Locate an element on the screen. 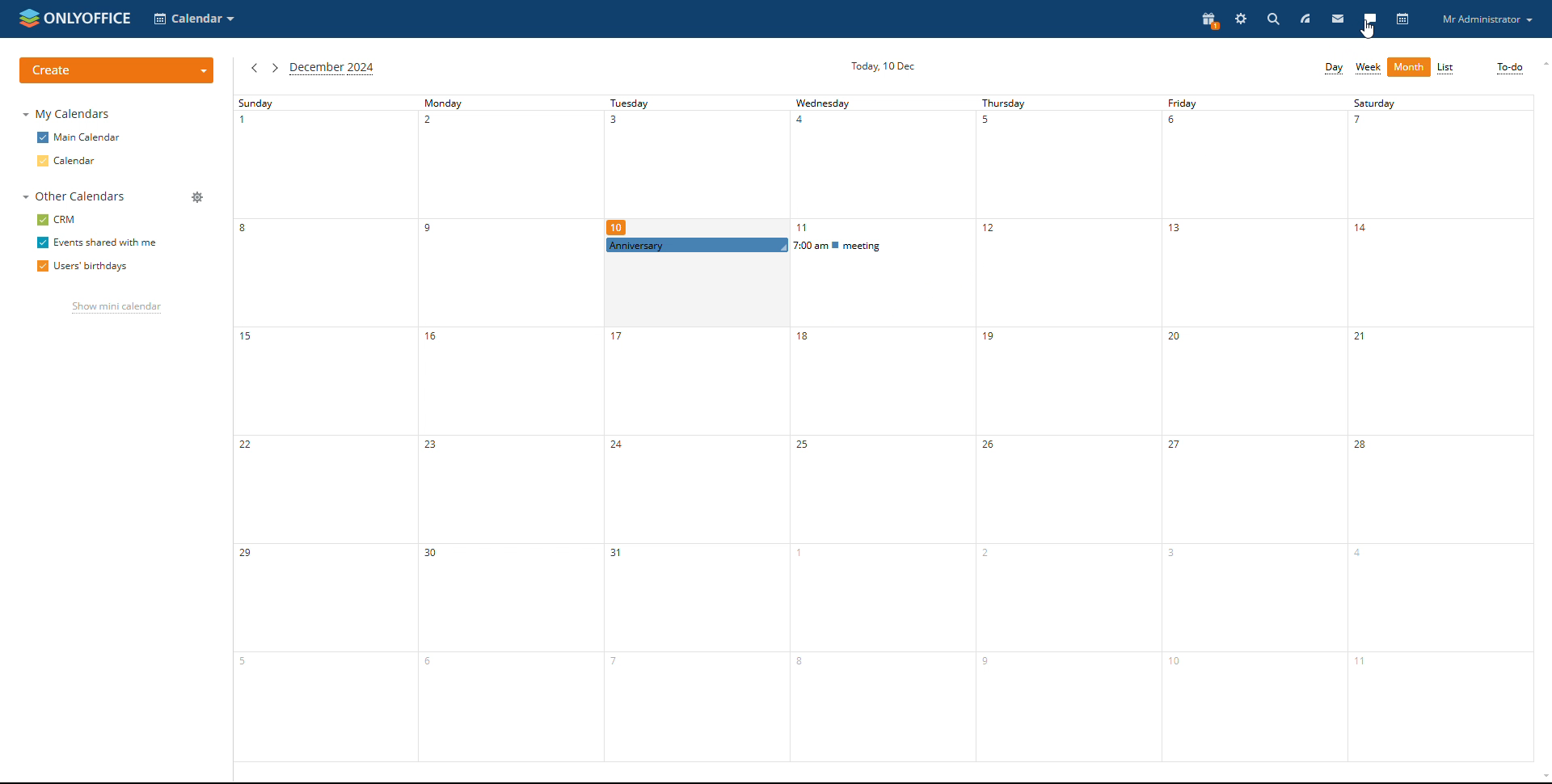 This screenshot has width=1552, height=784. events shared with me is located at coordinates (98, 242).